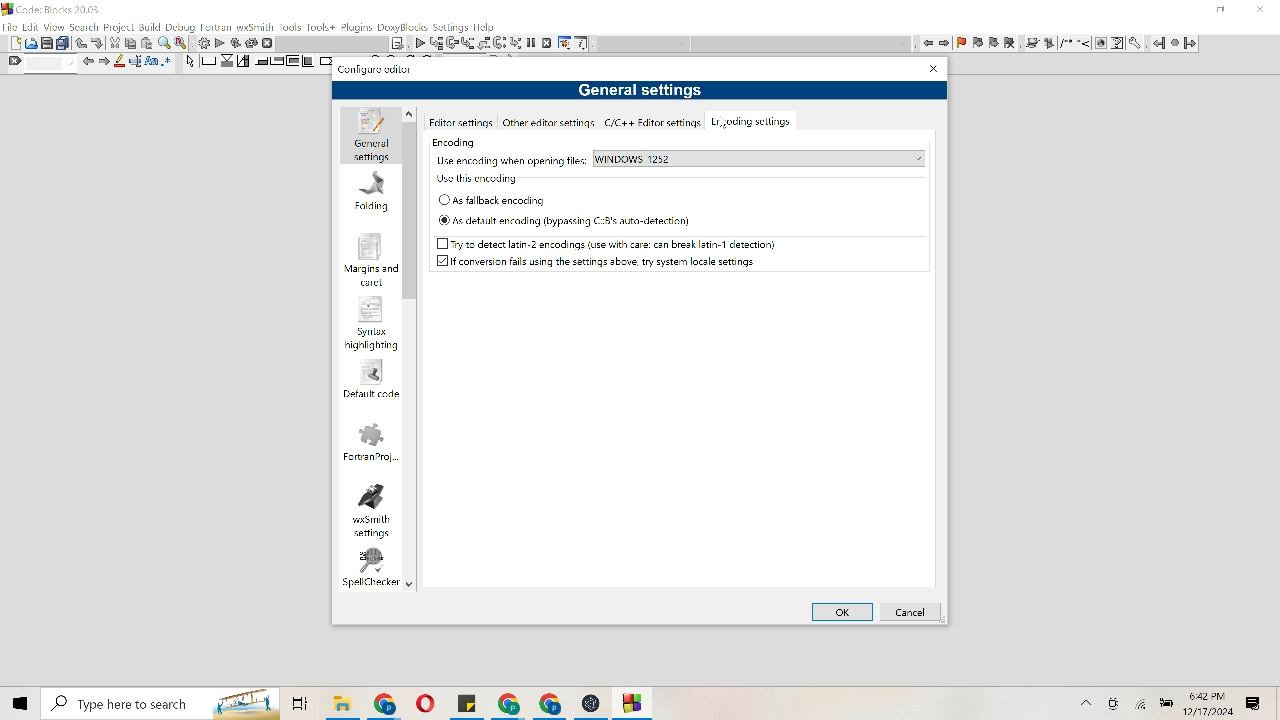 This screenshot has height=720, width=1280. What do you see at coordinates (421, 43) in the screenshot?
I see `Play` at bounding box center [421, 43].